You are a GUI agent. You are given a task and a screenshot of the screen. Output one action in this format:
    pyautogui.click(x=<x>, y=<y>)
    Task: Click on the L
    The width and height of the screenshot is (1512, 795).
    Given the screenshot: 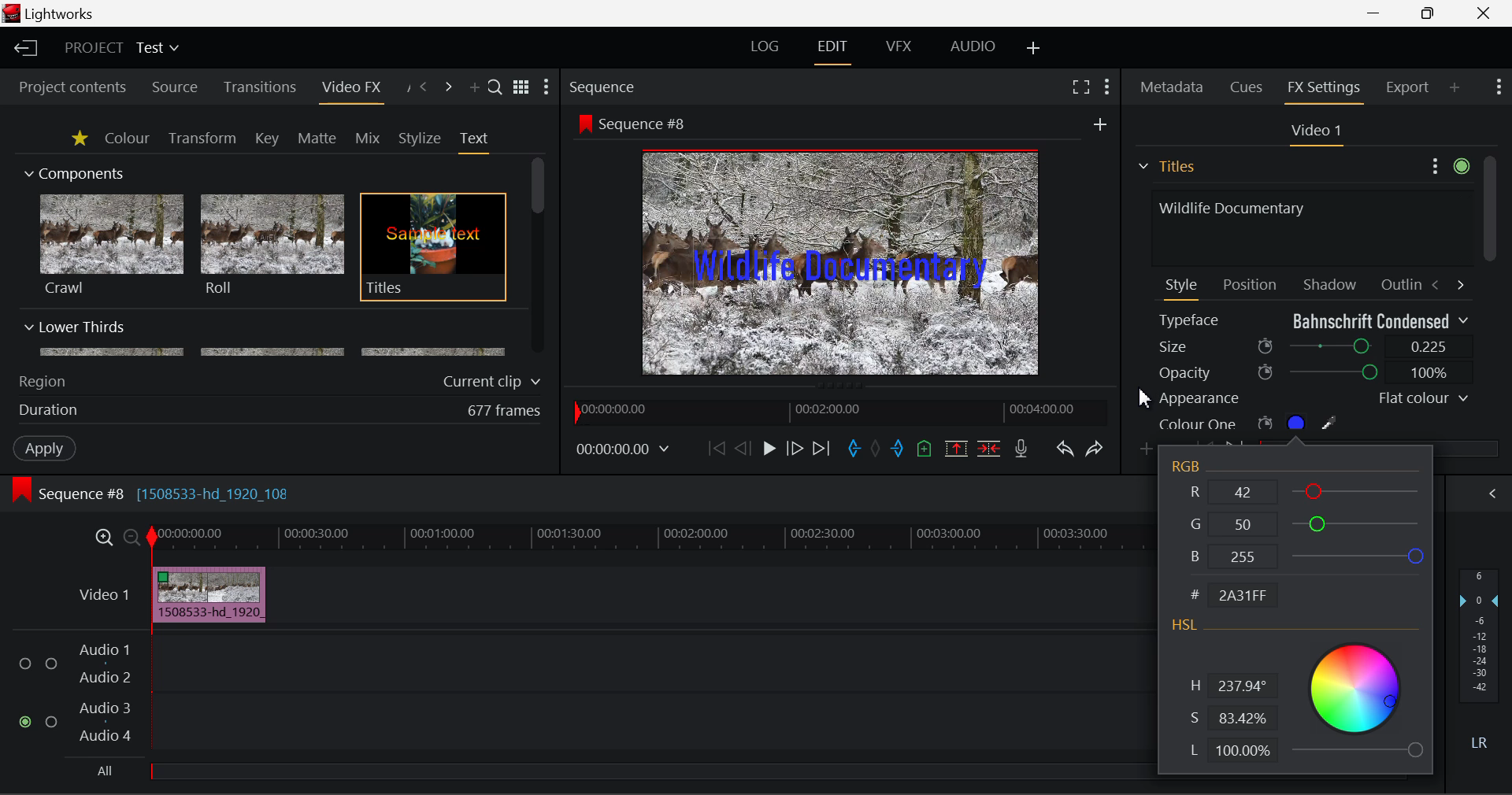 What is the action you would take?
    pyautogui.click(x=1230, y=752)
    